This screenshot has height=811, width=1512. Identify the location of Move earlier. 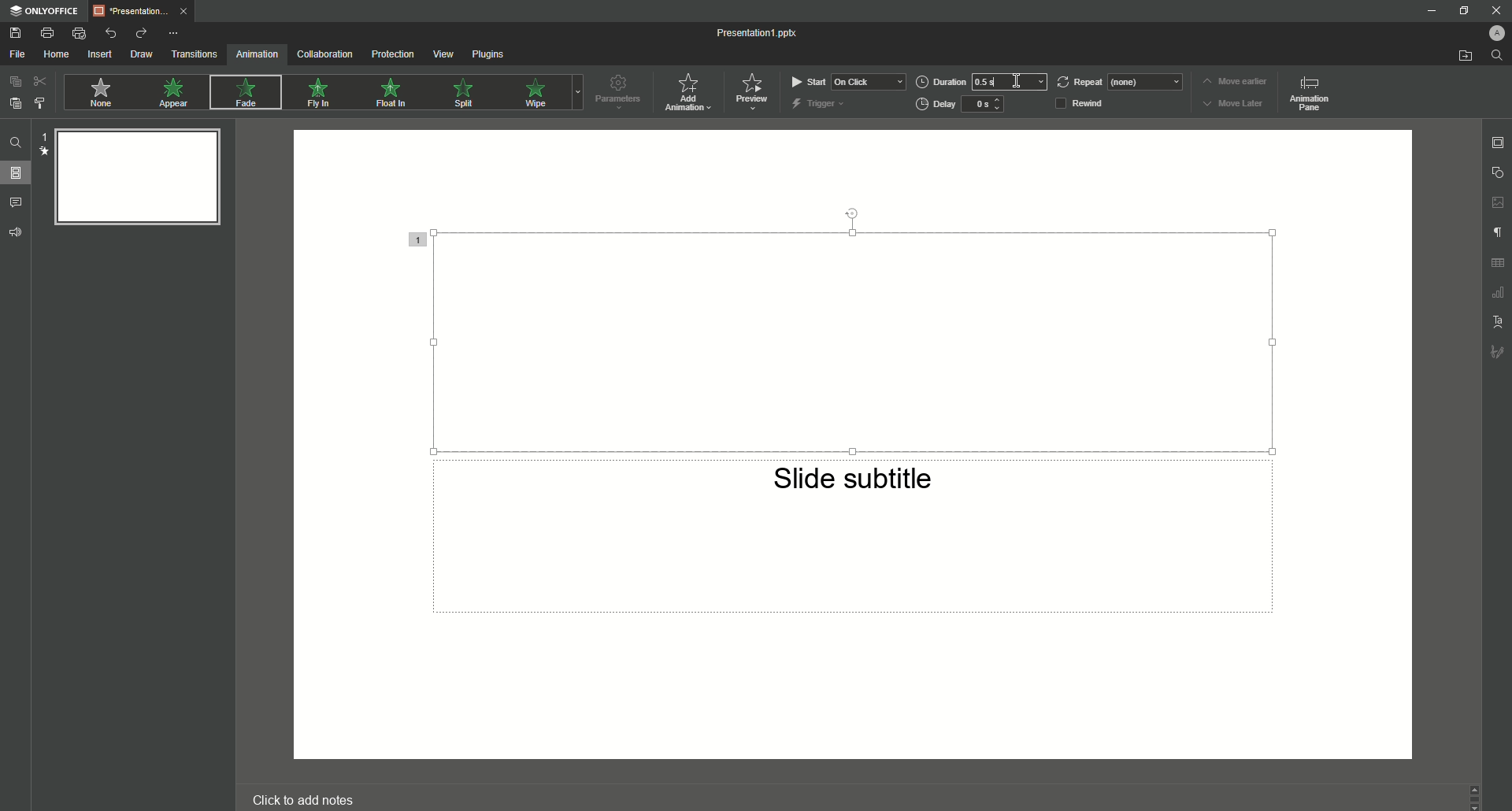
(1234, 81).